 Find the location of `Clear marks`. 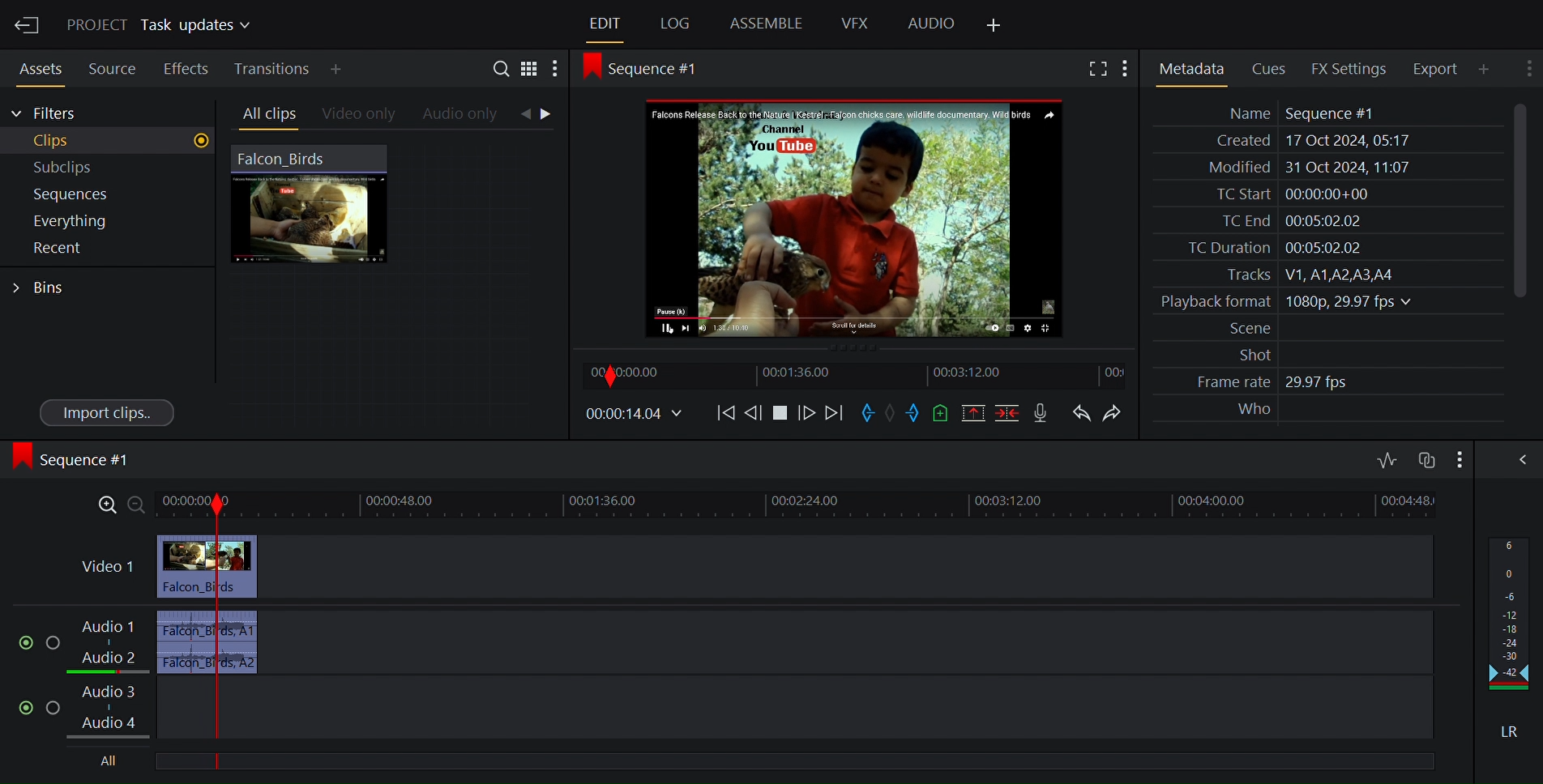

Clear marks is located at coordinates (891, 415).